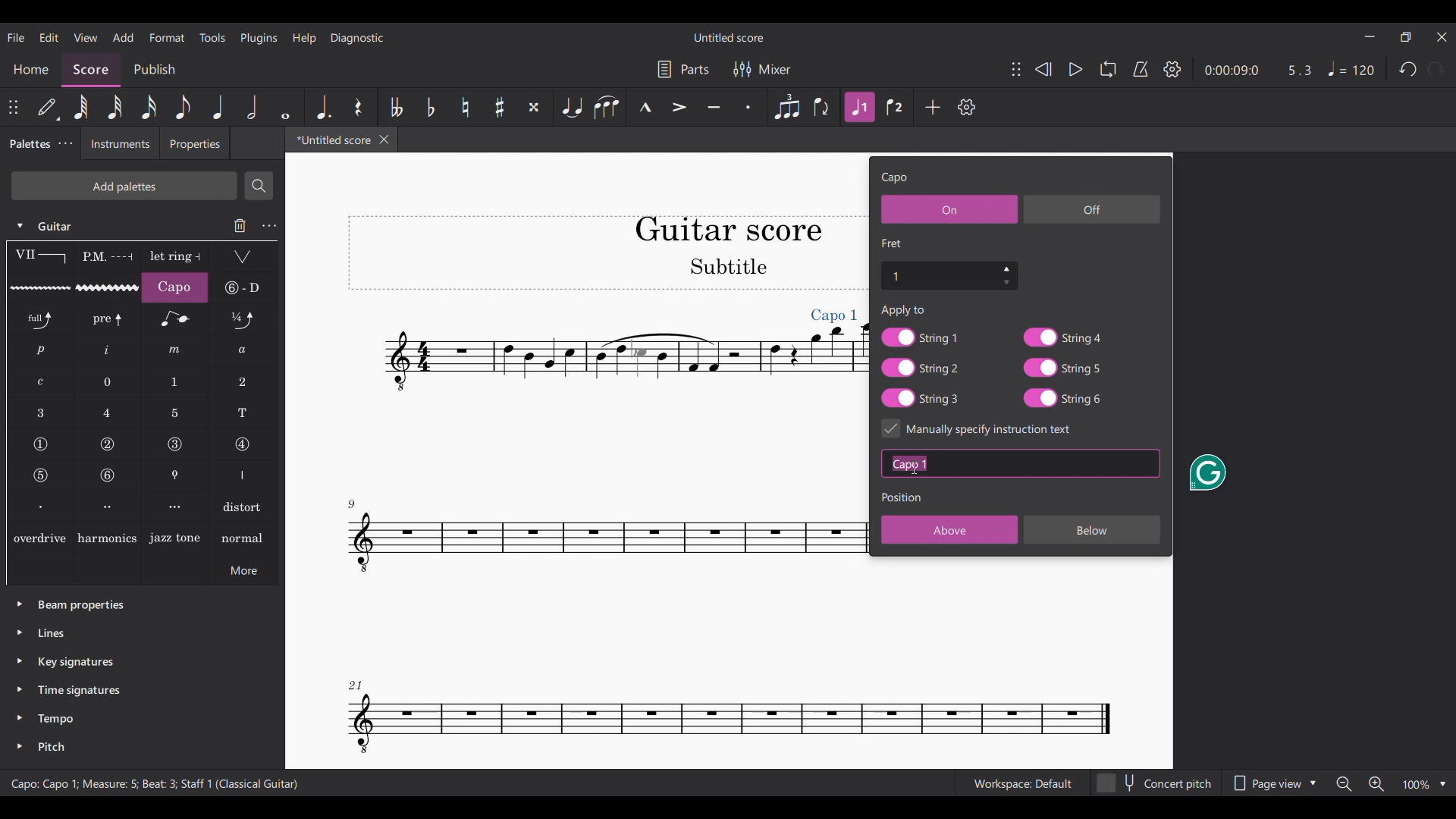 This screenshot has width=1456, height=819. What do you see at coordinates (242, 445) in the screenshot?
I see `String number 4` at bounding box center [242, 445].